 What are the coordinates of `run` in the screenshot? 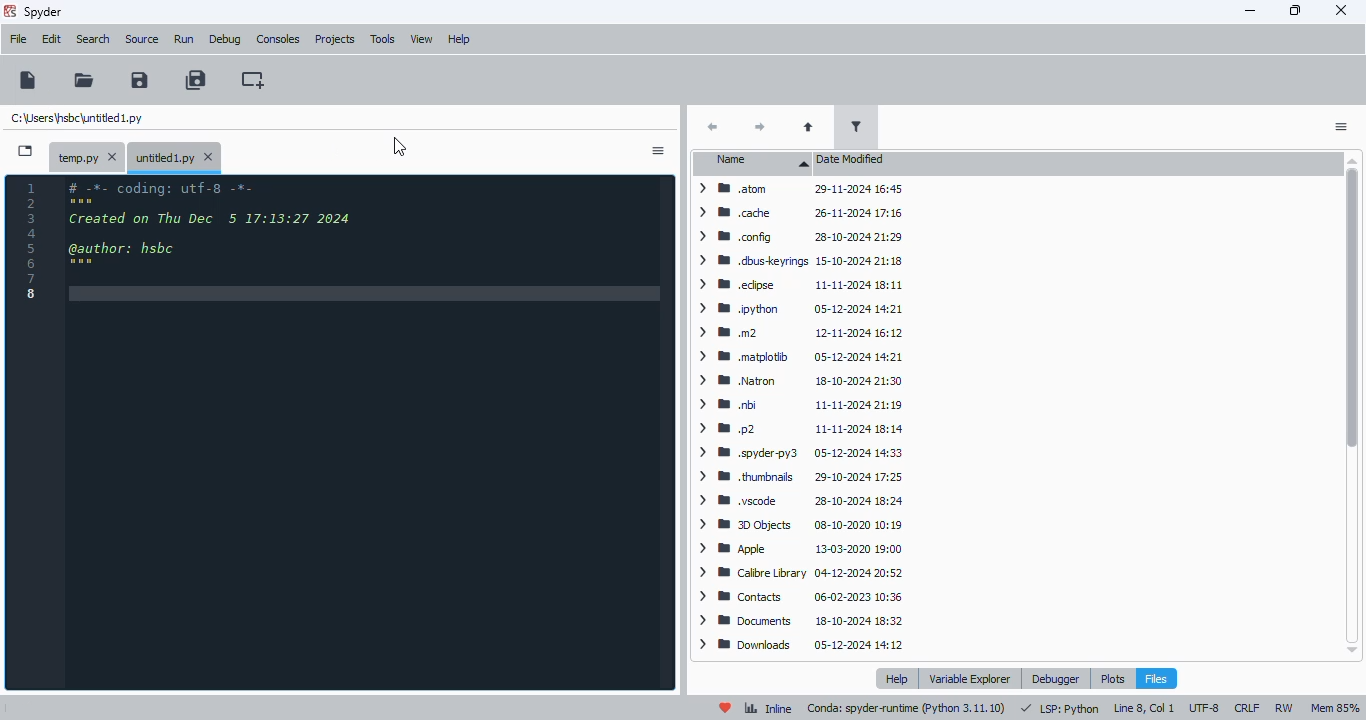 It's located at (184, 40).